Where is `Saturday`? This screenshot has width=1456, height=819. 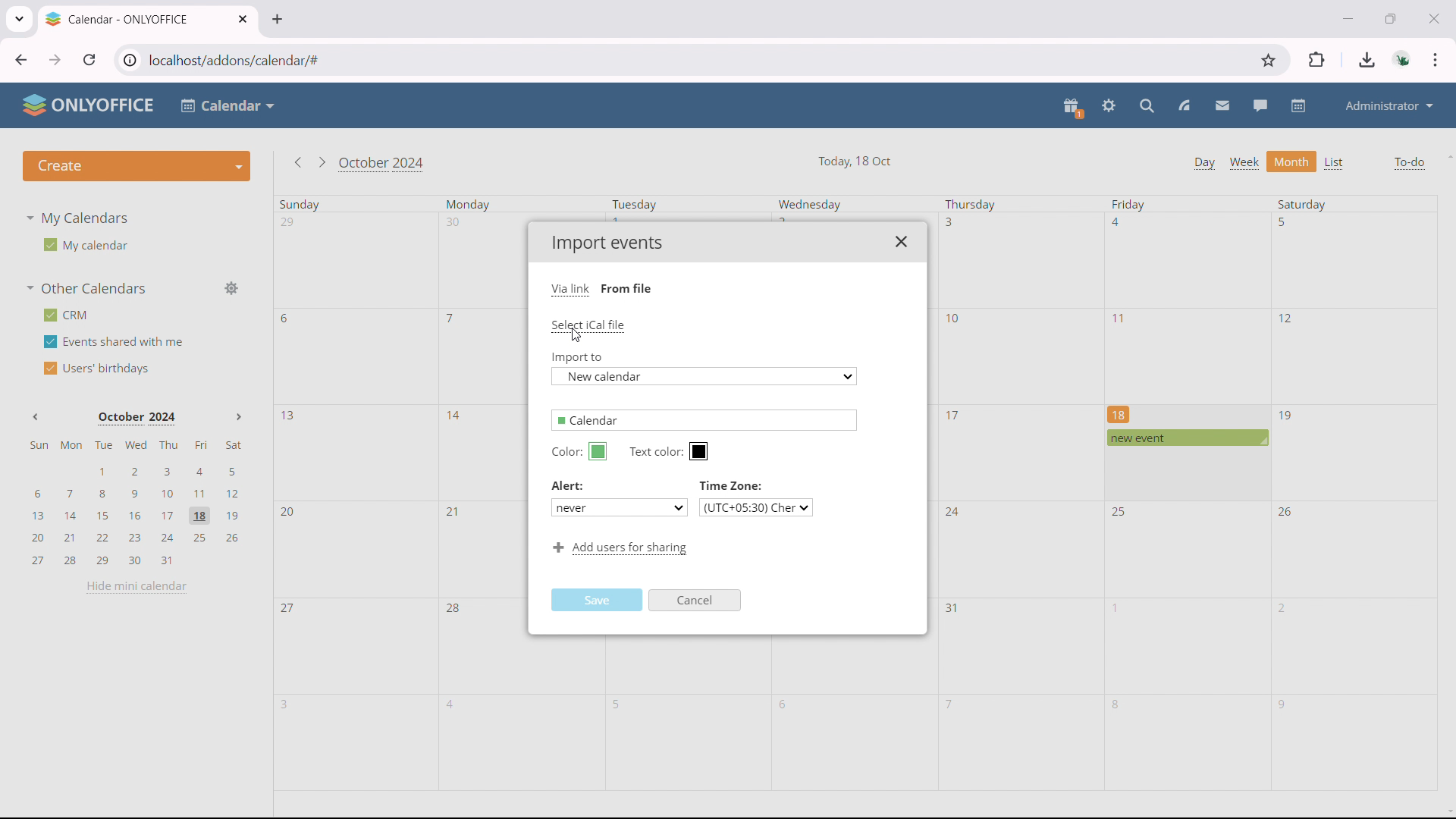 Saturday is located at coordinates (1302, 203).